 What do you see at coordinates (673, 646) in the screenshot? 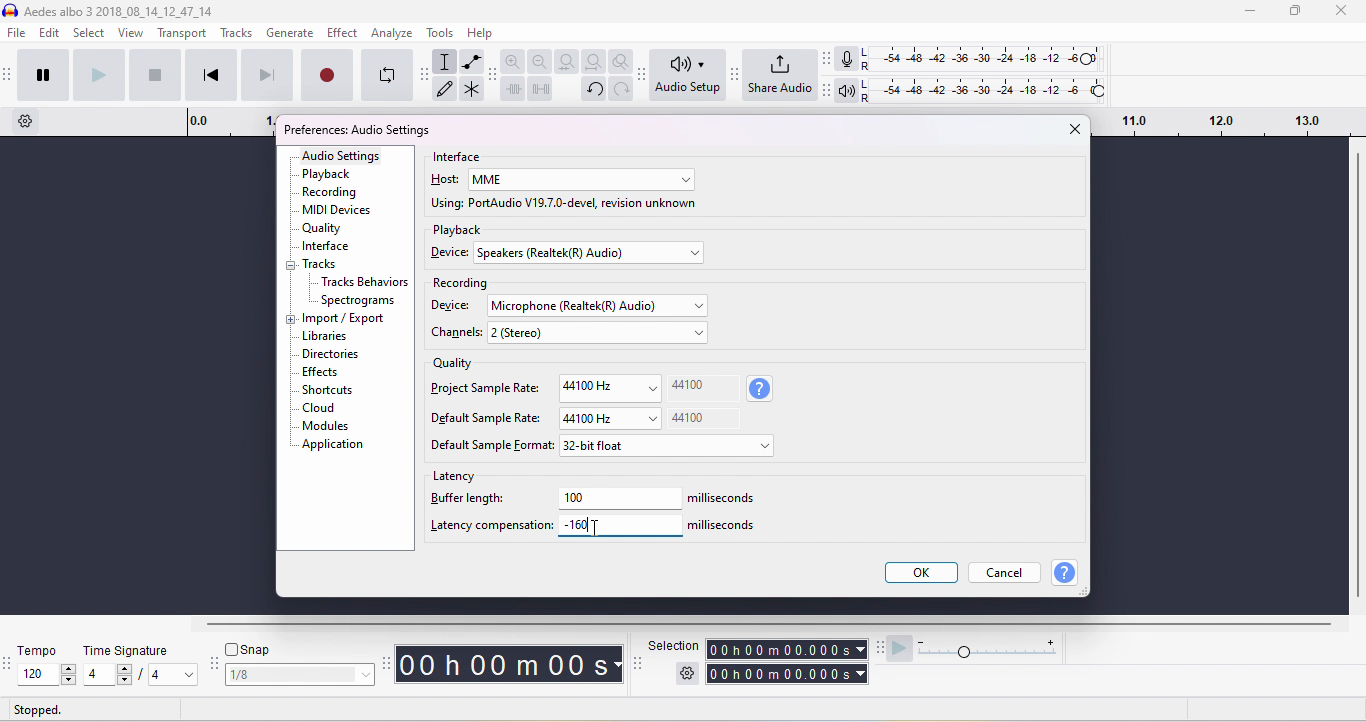
I see `selection` at bounding box center [673, 646].